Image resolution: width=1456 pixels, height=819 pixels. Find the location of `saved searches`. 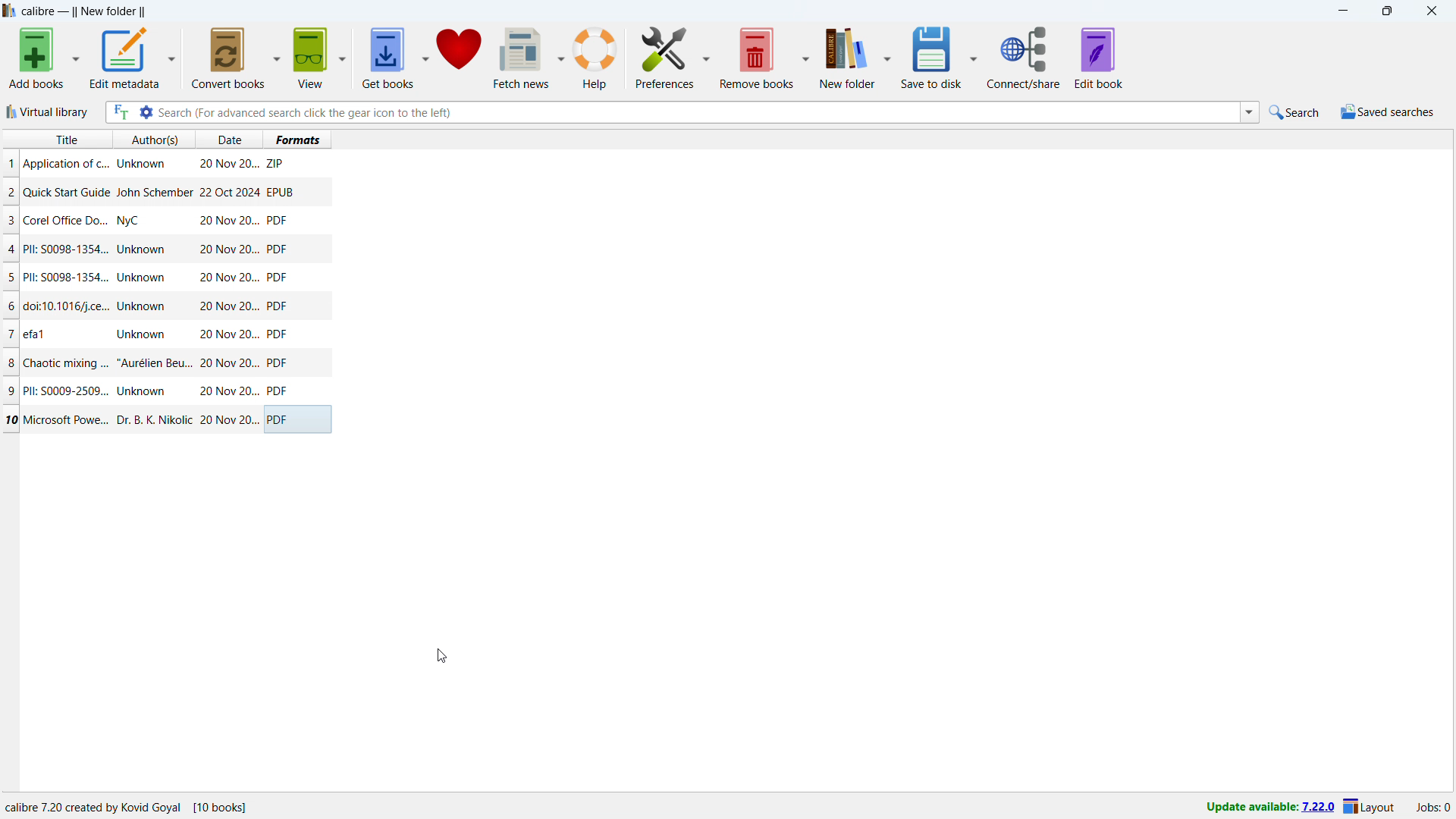

saved searches is located at coordinates (1388, 111).